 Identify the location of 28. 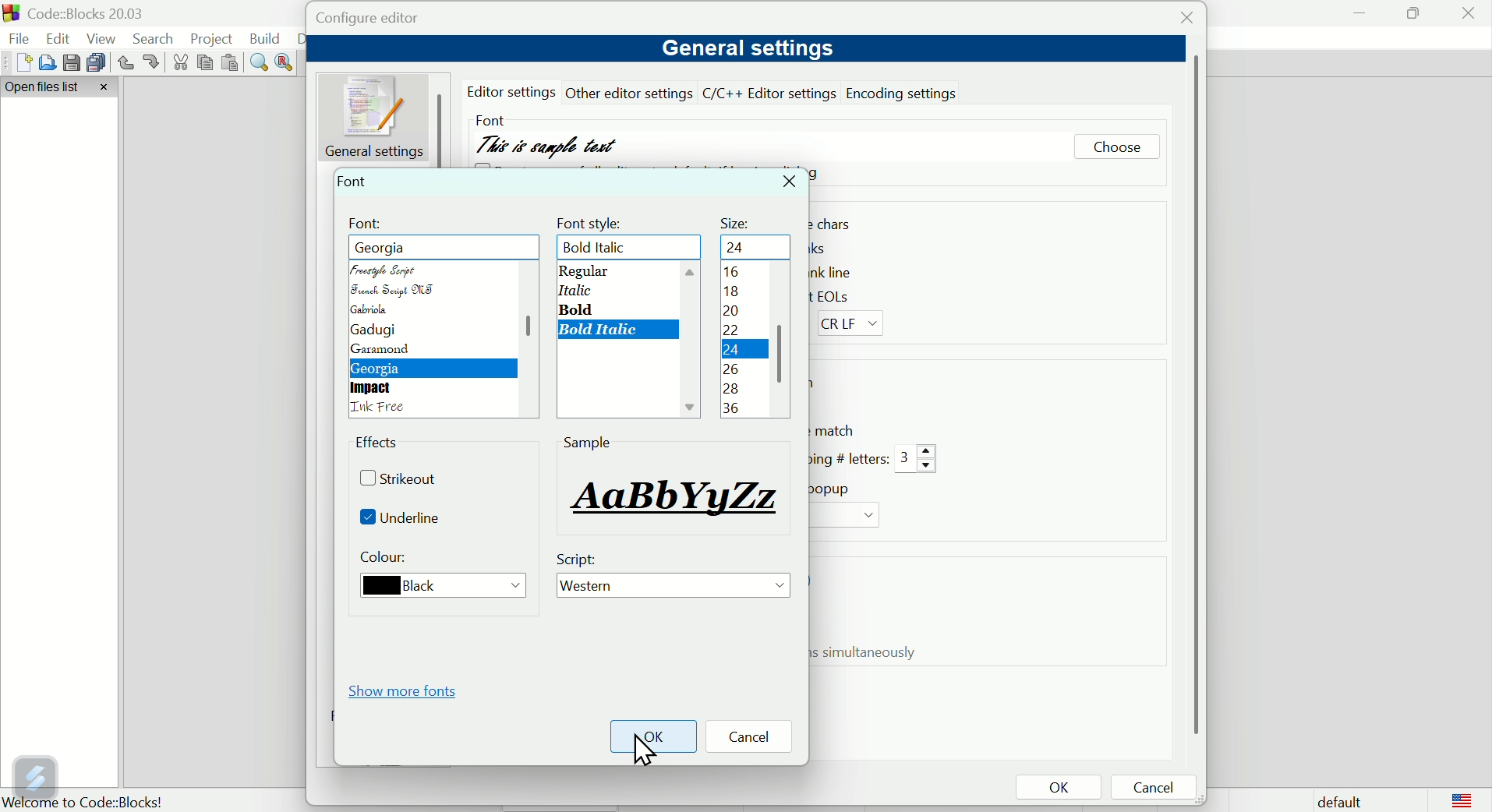
(731, 389).